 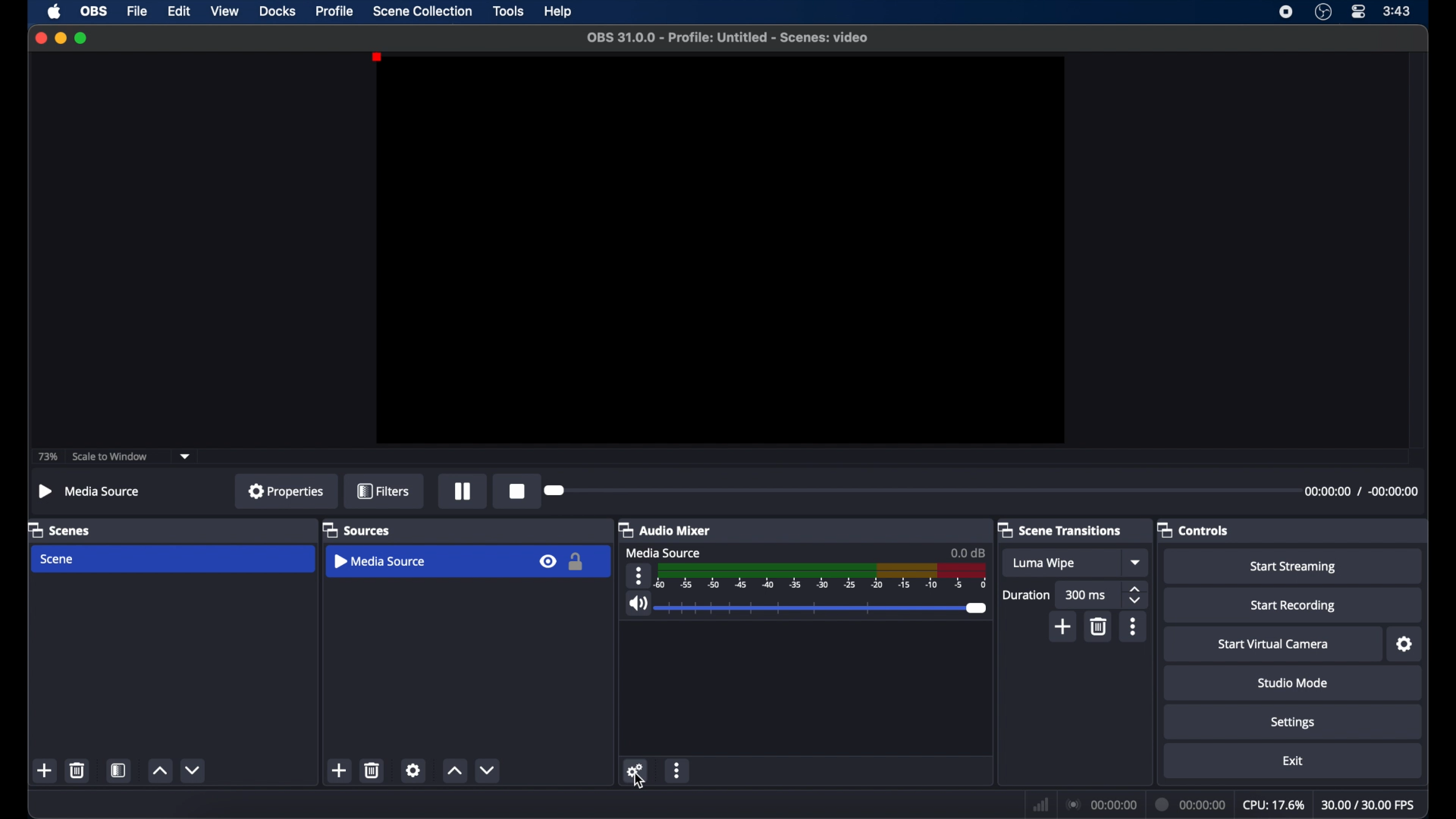 I want to click on 30.00/30.00 fps, so click(x=1369, y=805).